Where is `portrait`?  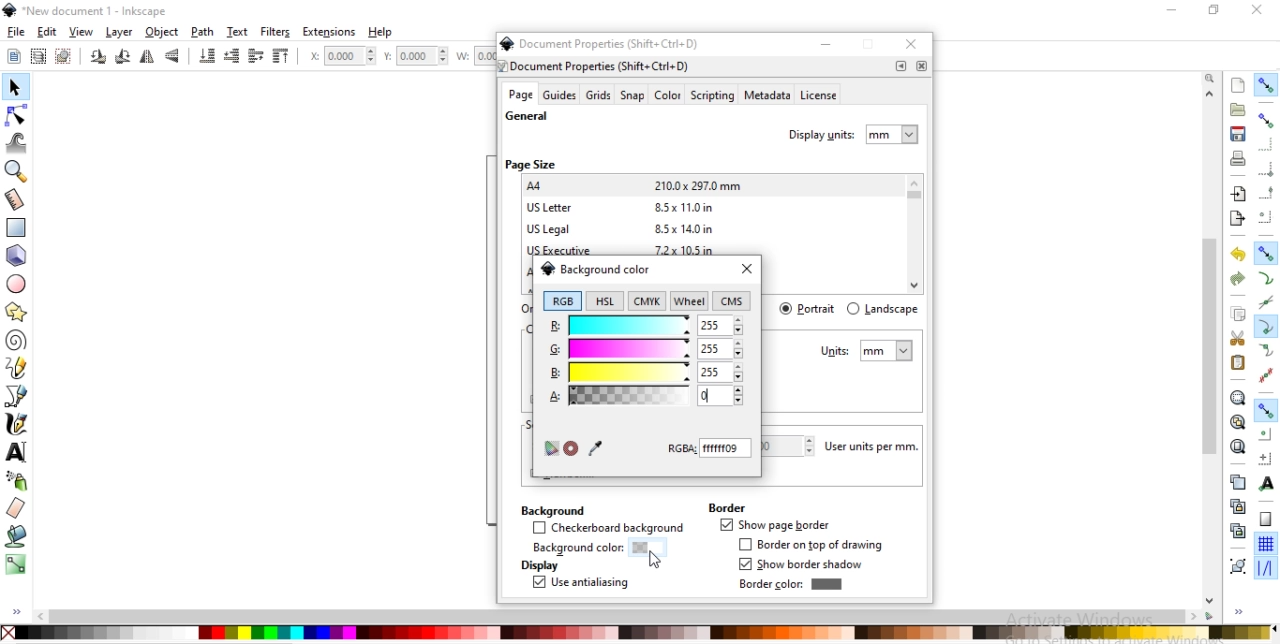 portrait is located at coordinates (809, 308).